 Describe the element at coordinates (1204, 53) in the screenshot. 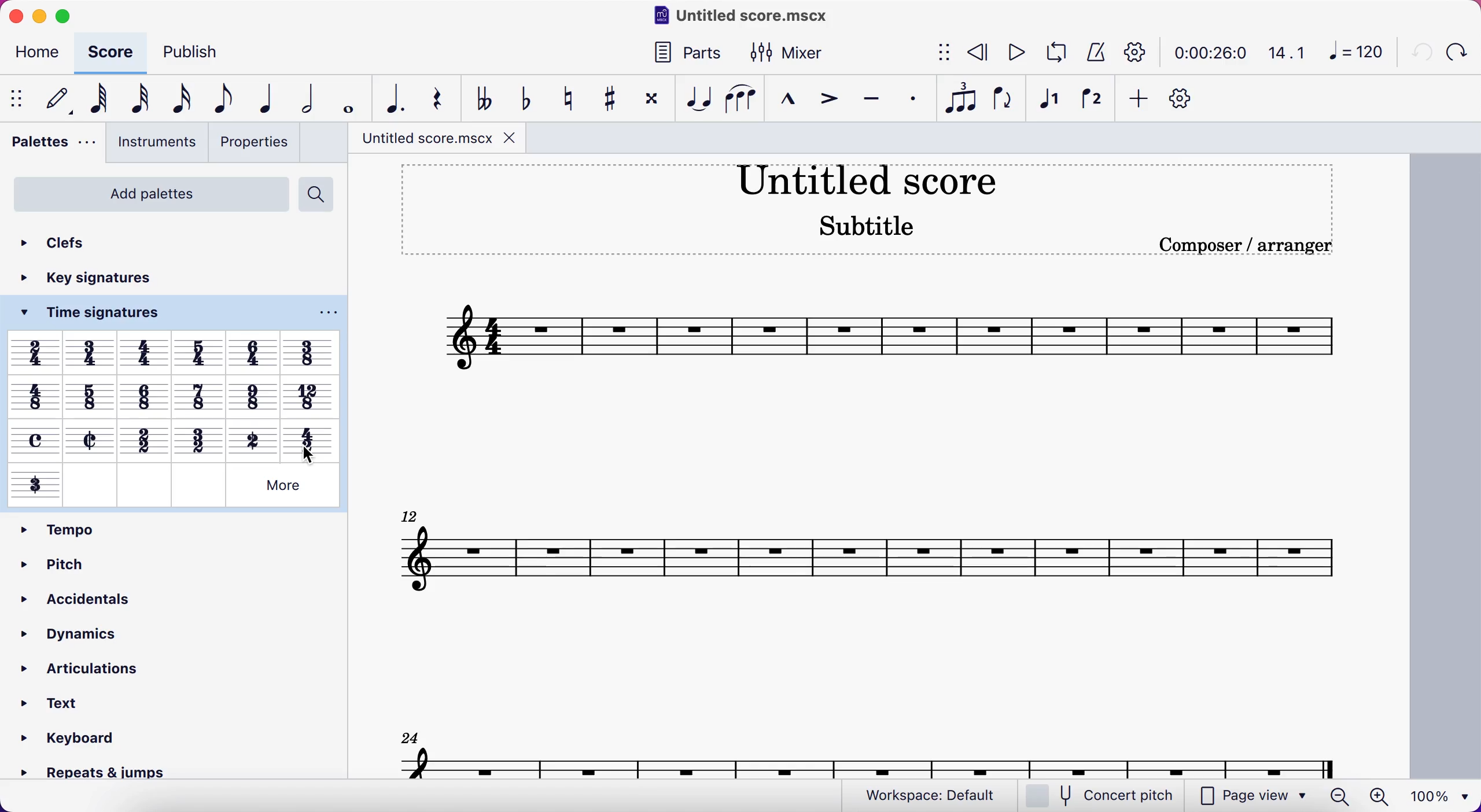

I see `time` at that location.